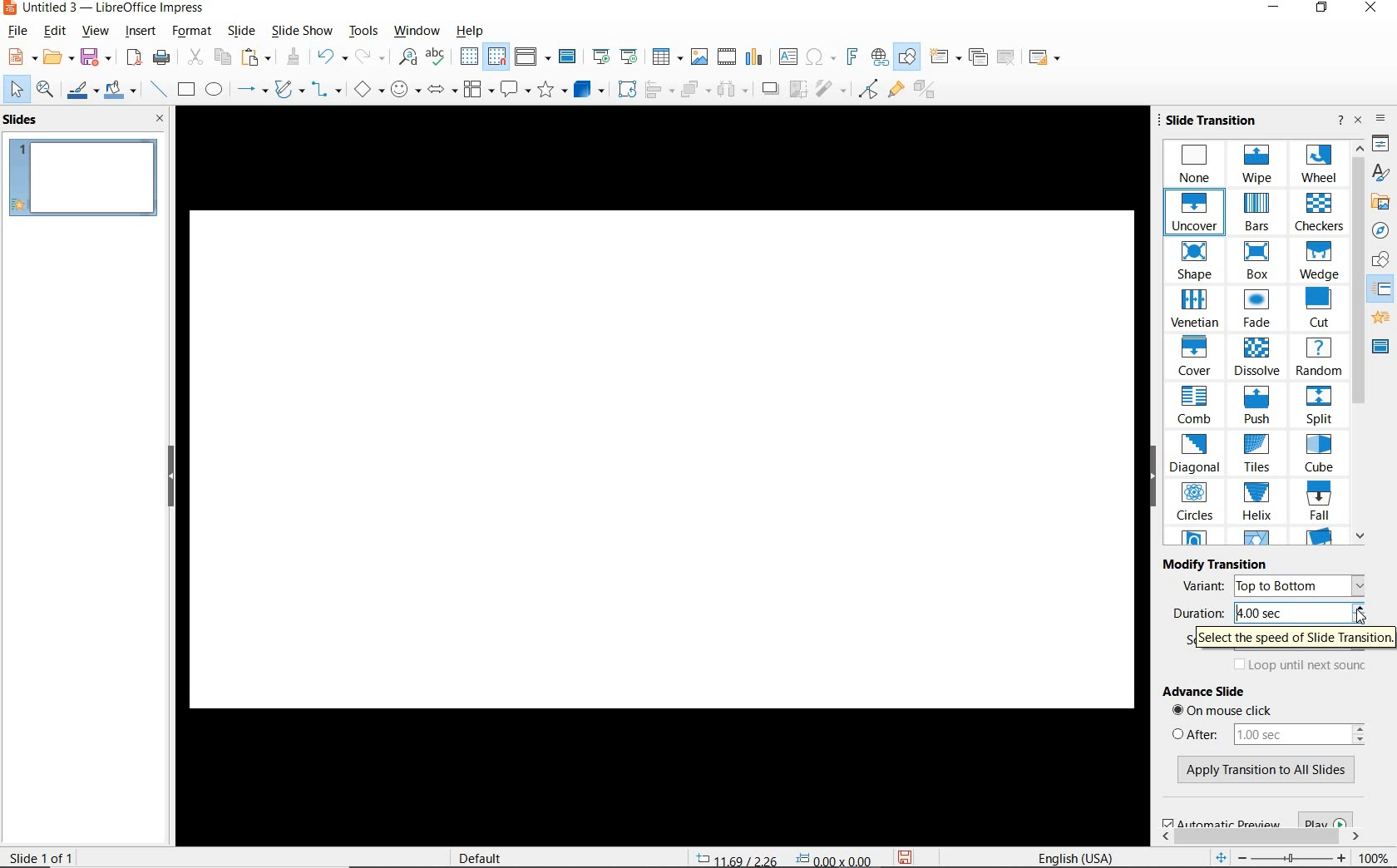  Describe the element at coordinates (1005, 57) in the screenshot. I see `DELETE SLIDE` at that location.